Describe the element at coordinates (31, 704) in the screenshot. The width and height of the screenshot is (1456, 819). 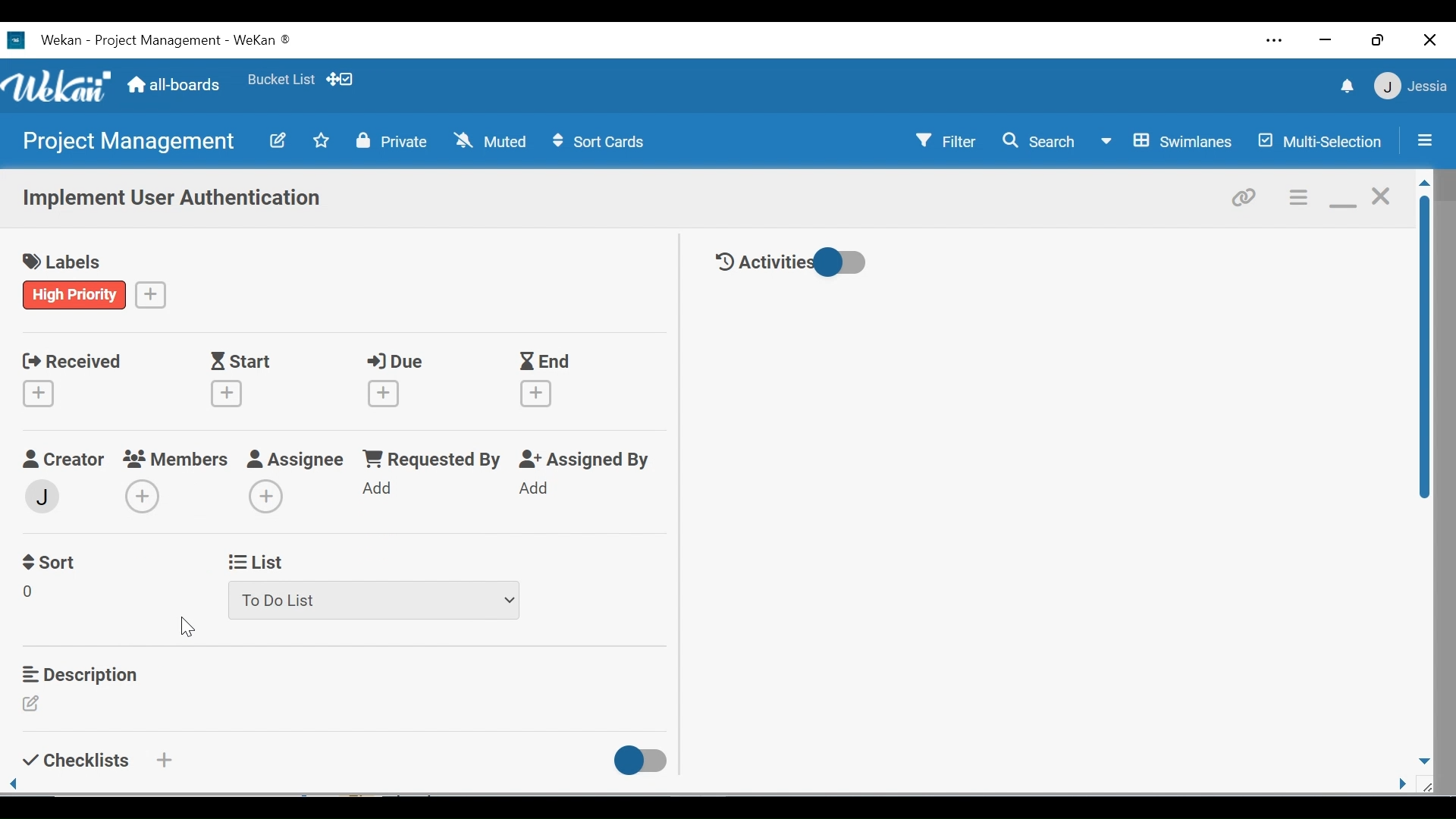
I see `edit` at that location.